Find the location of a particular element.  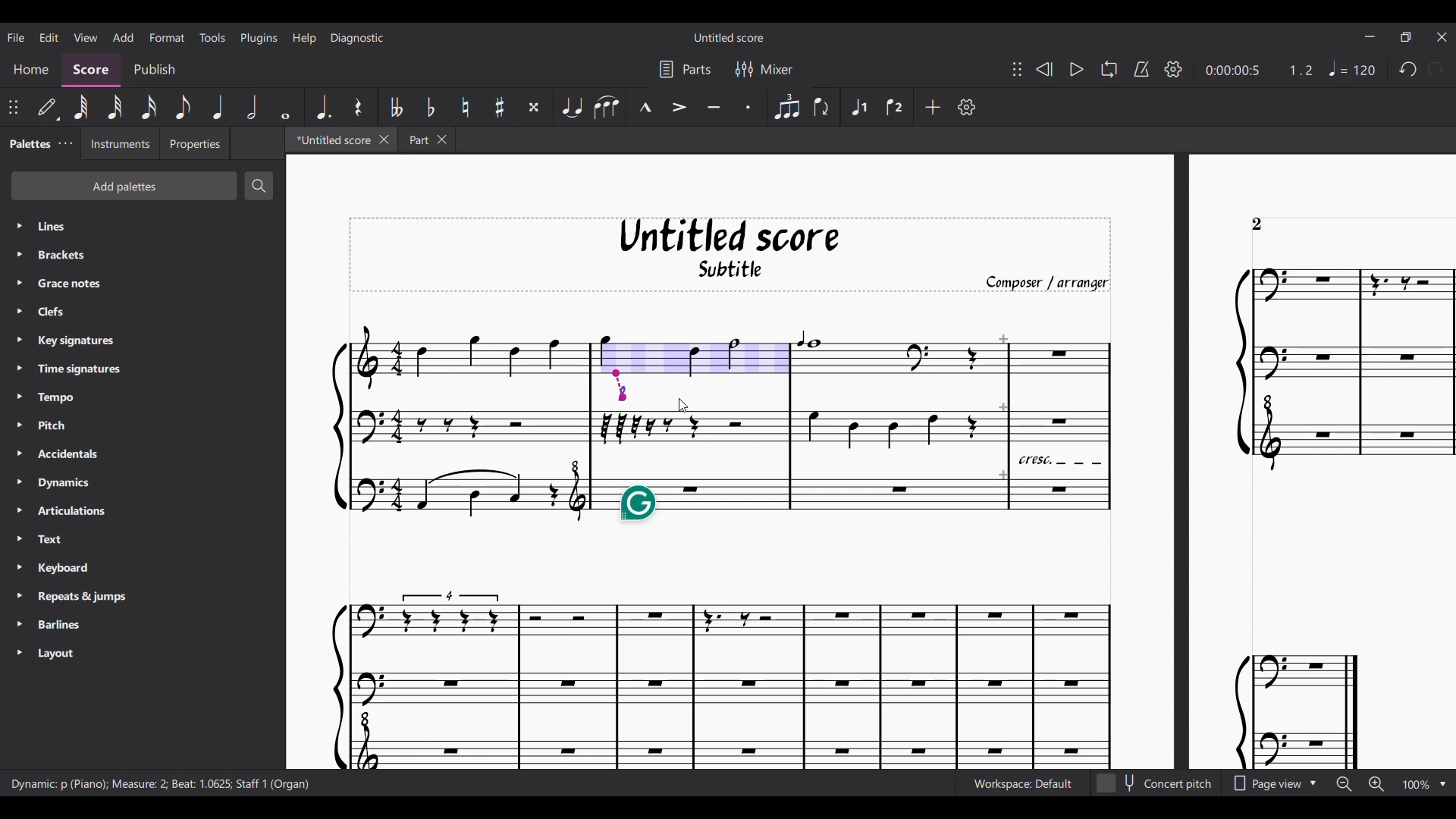

Default is located at coordinates (48, 108).